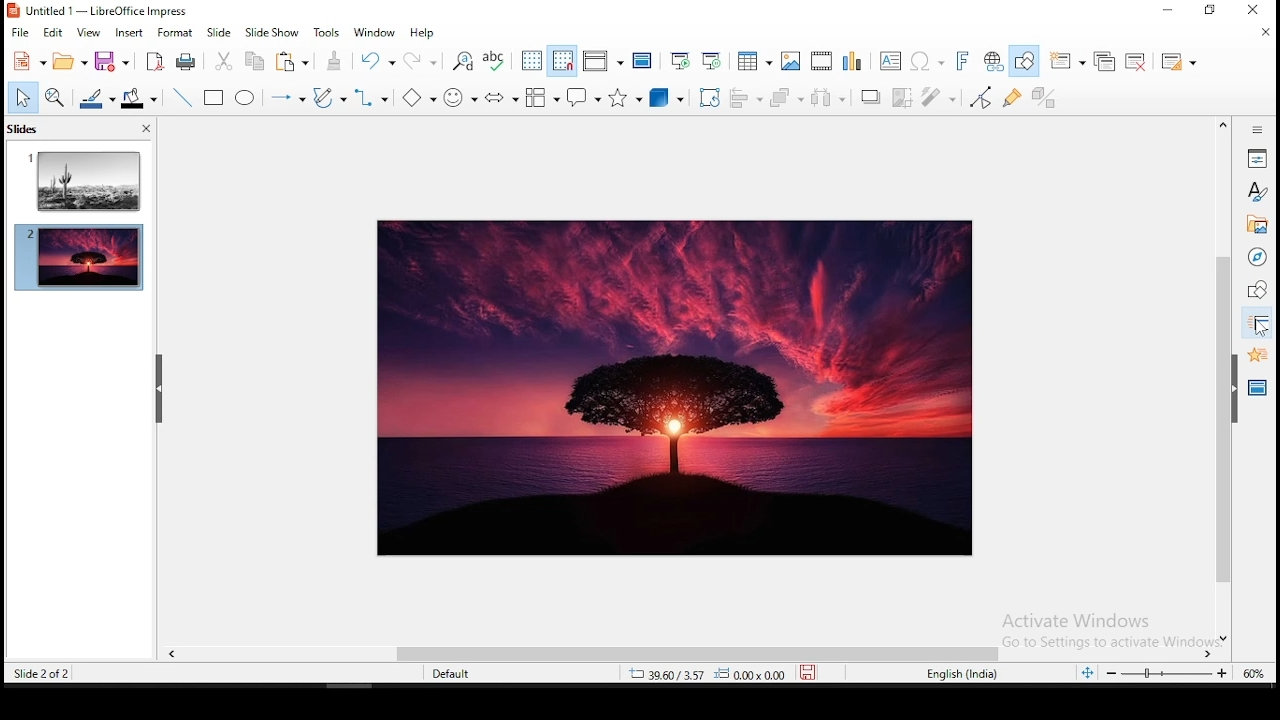  I want to click on zoom, so click(1184, 672).